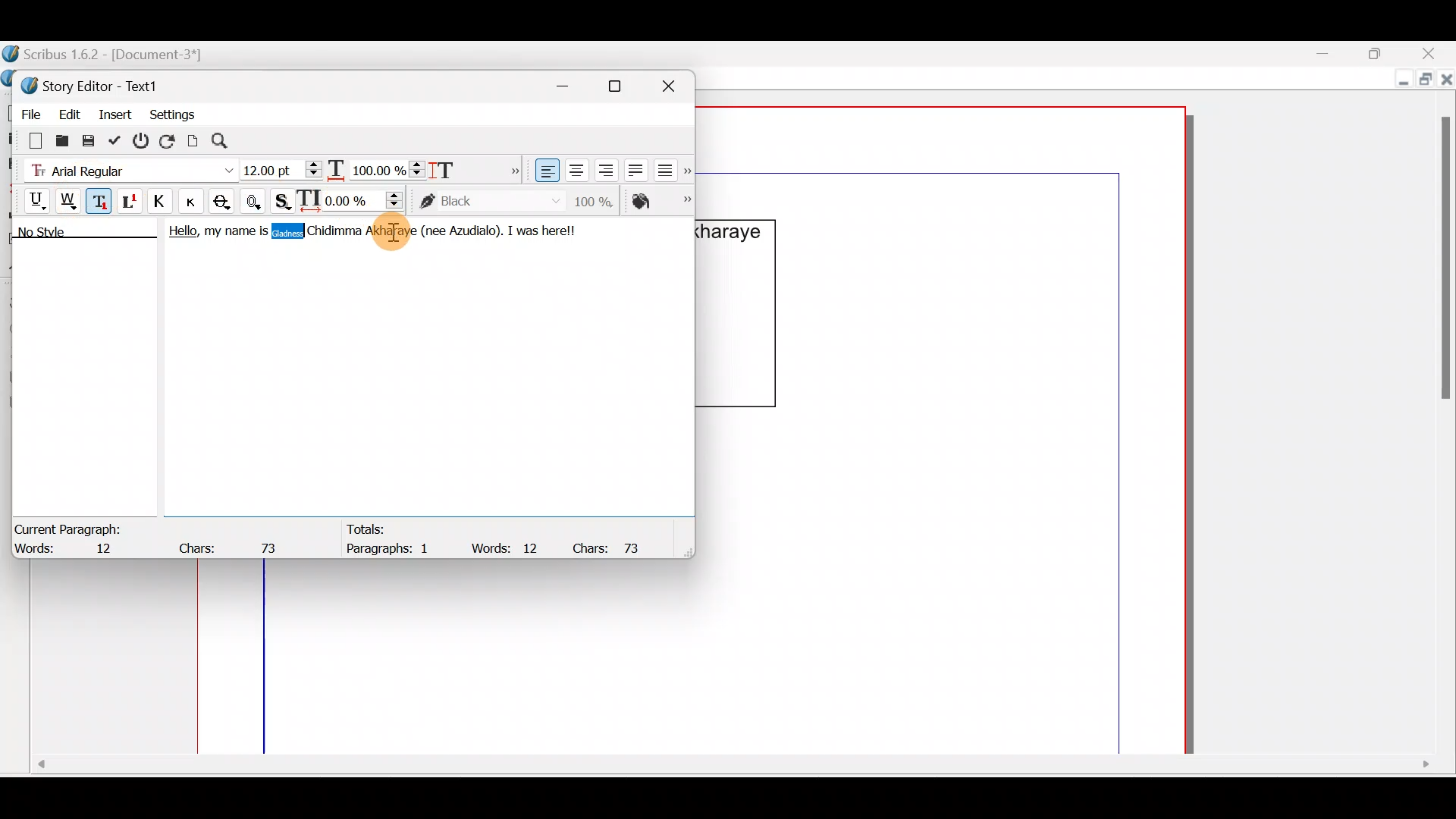 This screenshot has width=1456, height=819. I want to click on Underline, so click(30, 199).